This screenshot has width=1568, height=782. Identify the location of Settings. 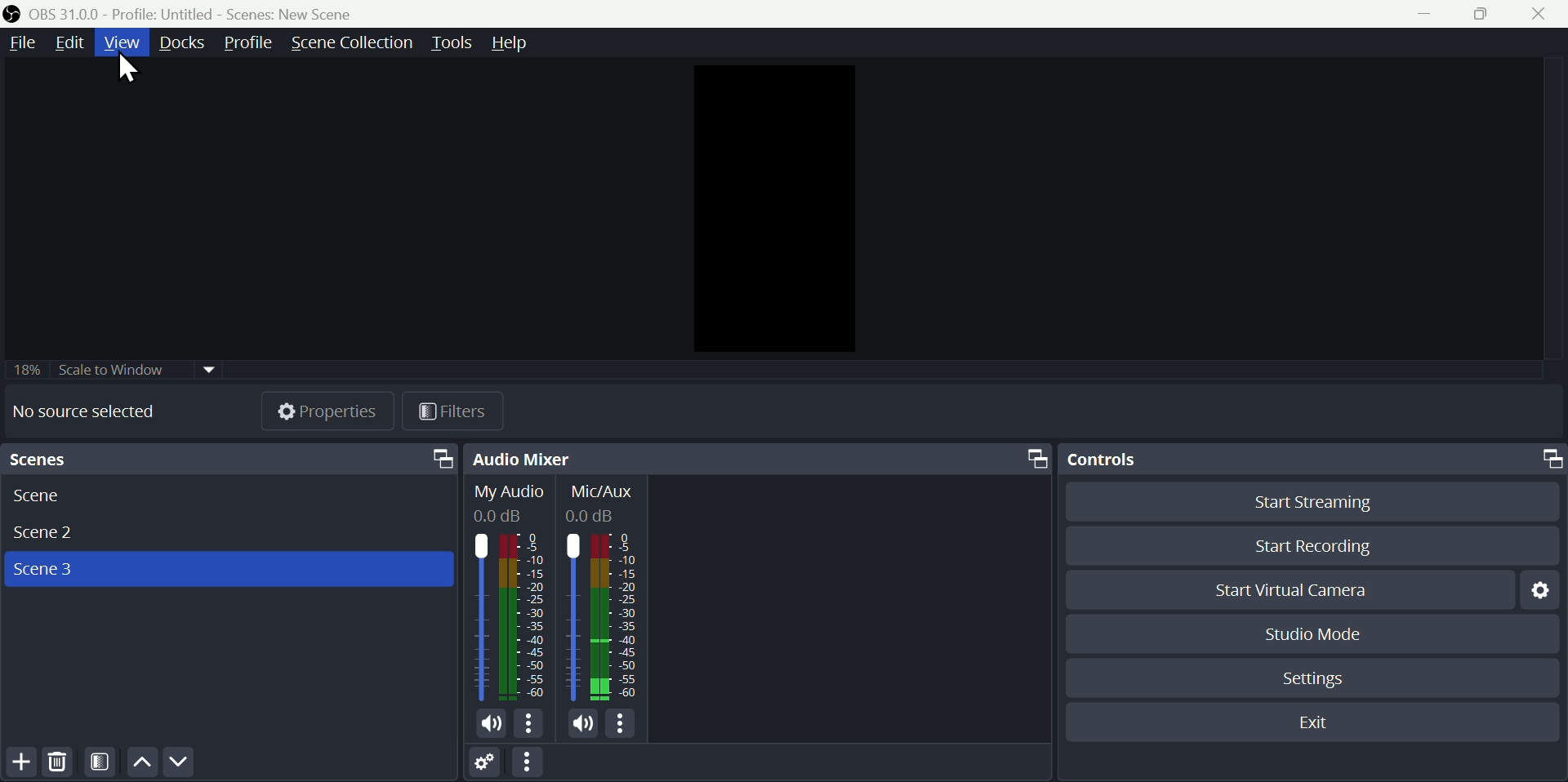
(489, 765).